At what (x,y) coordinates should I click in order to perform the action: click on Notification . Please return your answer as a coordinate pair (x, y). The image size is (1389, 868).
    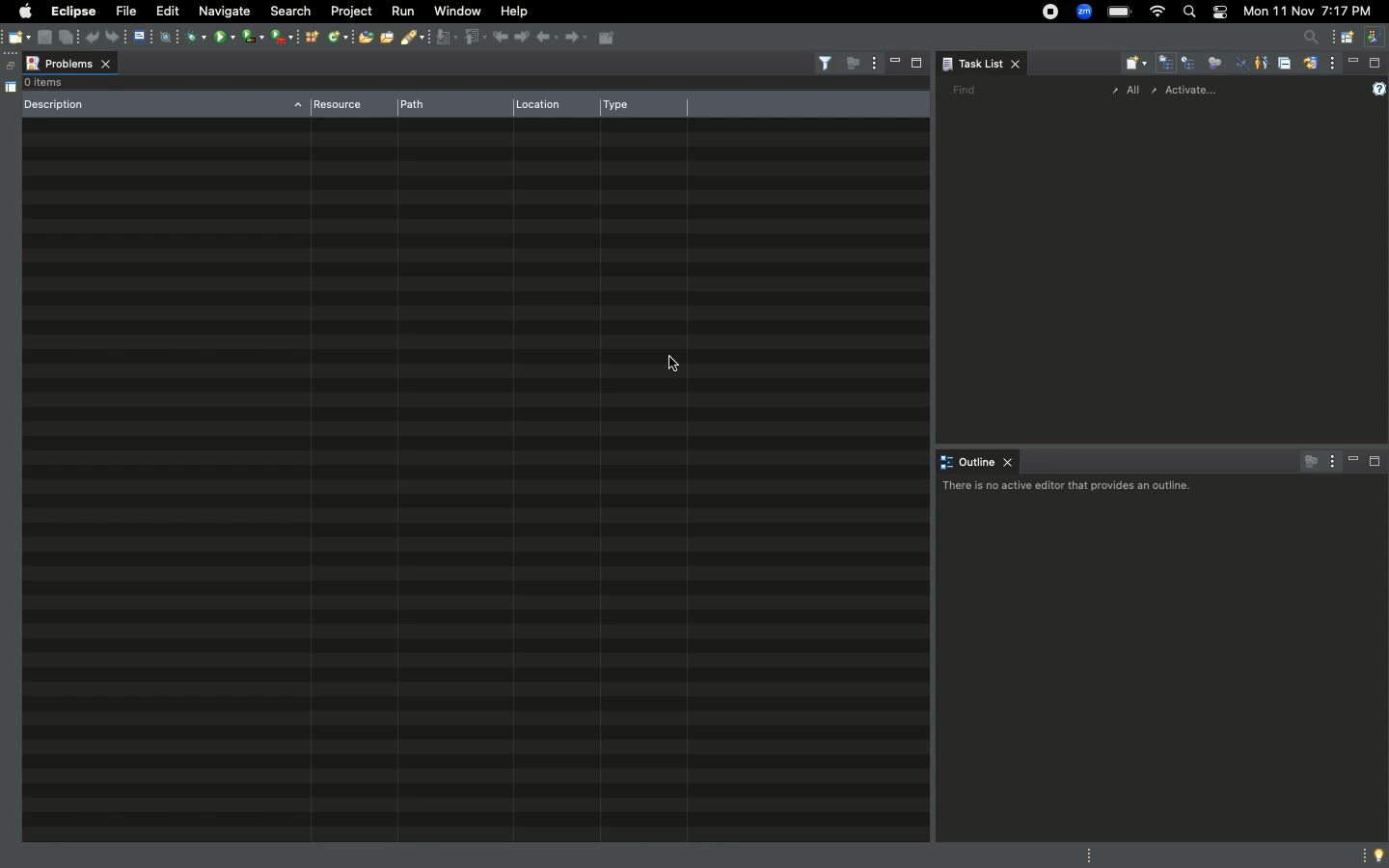
    Looking at the image, I should click on (1217, 12).